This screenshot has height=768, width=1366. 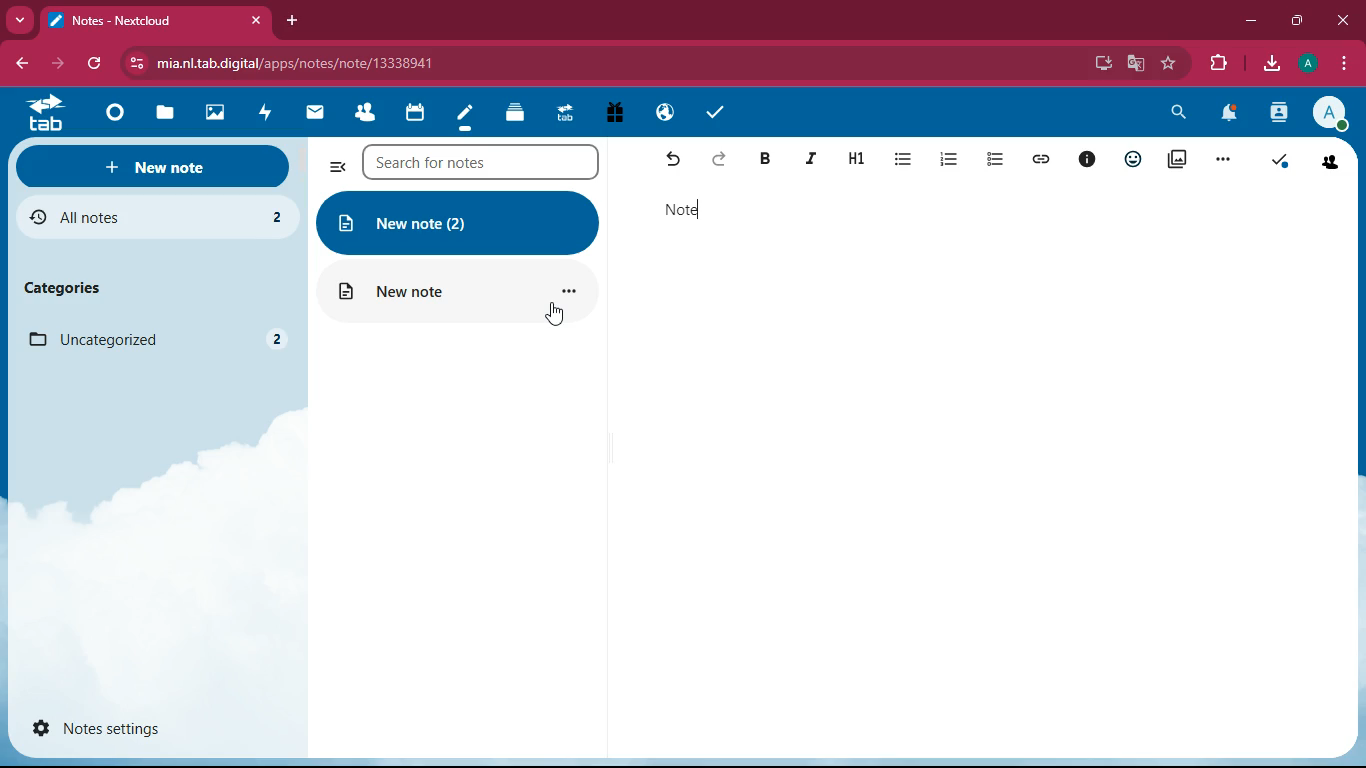 What do you see at coordinates (618, 114) in the screenshot?
I see `gift` at bounding box center [618, 114].